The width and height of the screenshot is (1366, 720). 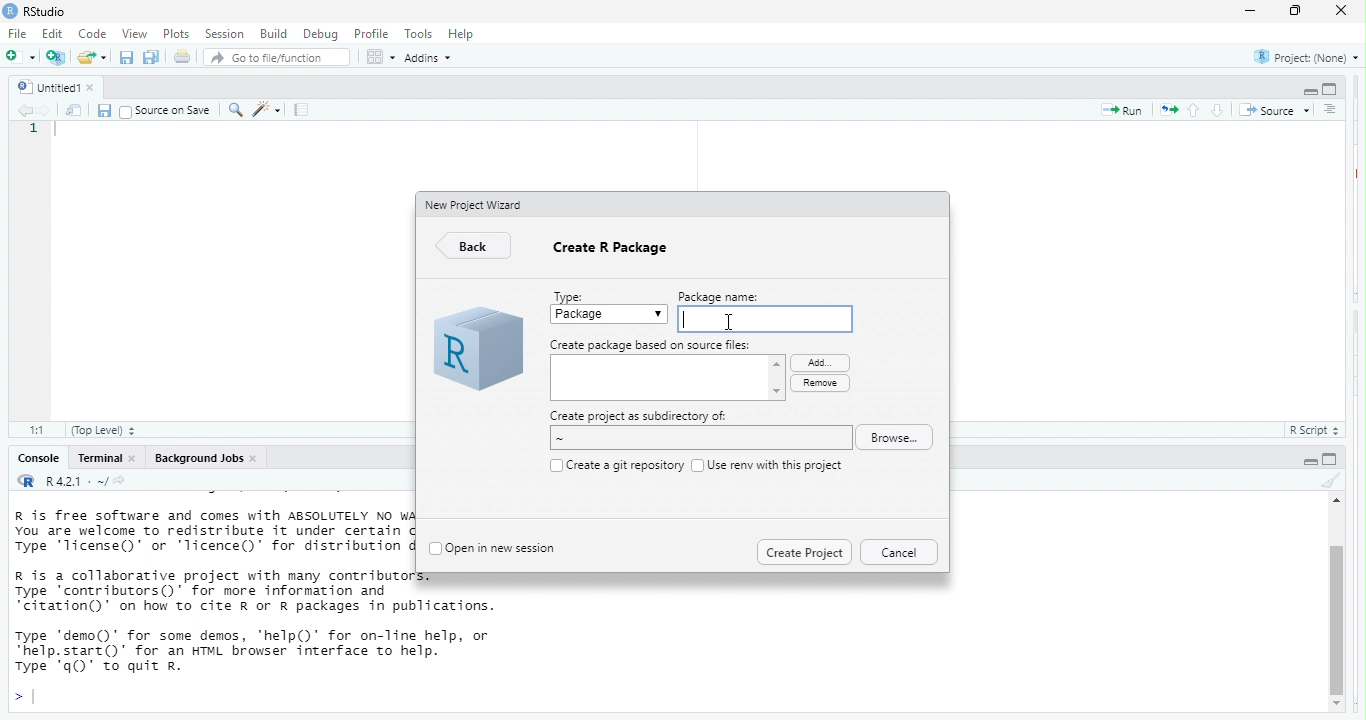 I want to click on close, so click(x=98, y=87).